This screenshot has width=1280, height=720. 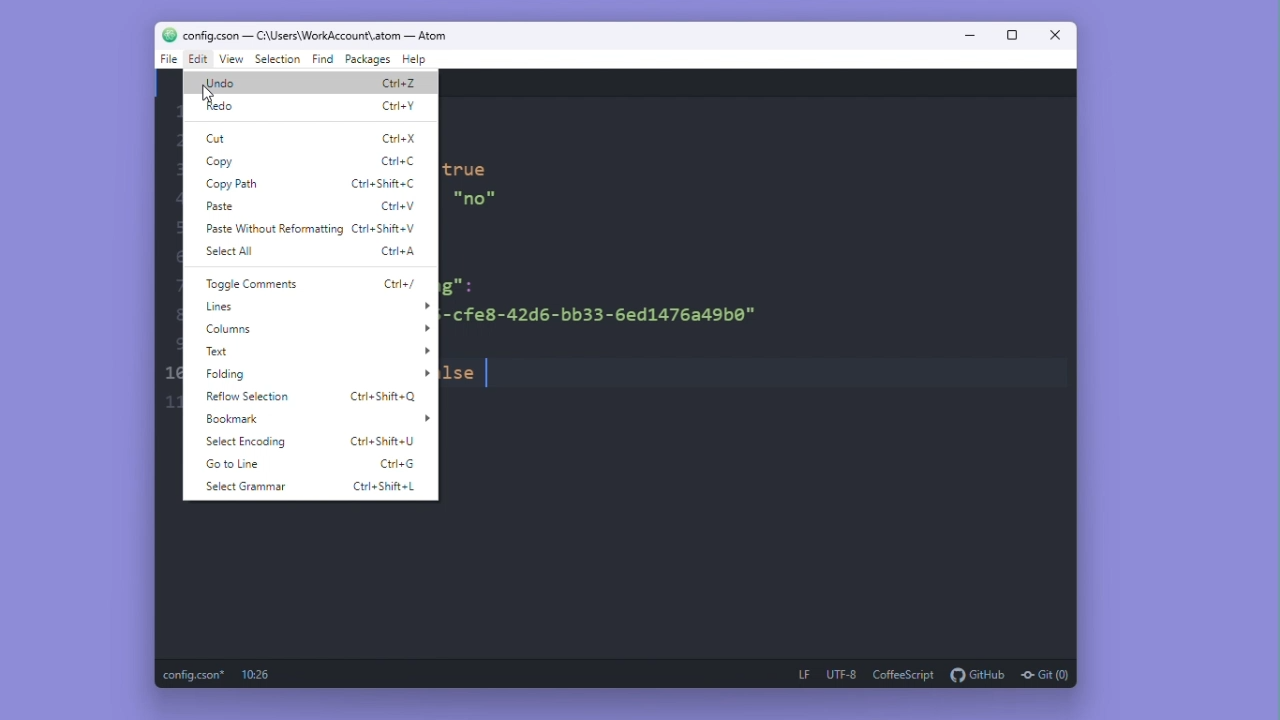 What do you see at coordinates (385, 489) in the screenshot?
I see `ctrl+shift+l` at bounding box center [385, 489].